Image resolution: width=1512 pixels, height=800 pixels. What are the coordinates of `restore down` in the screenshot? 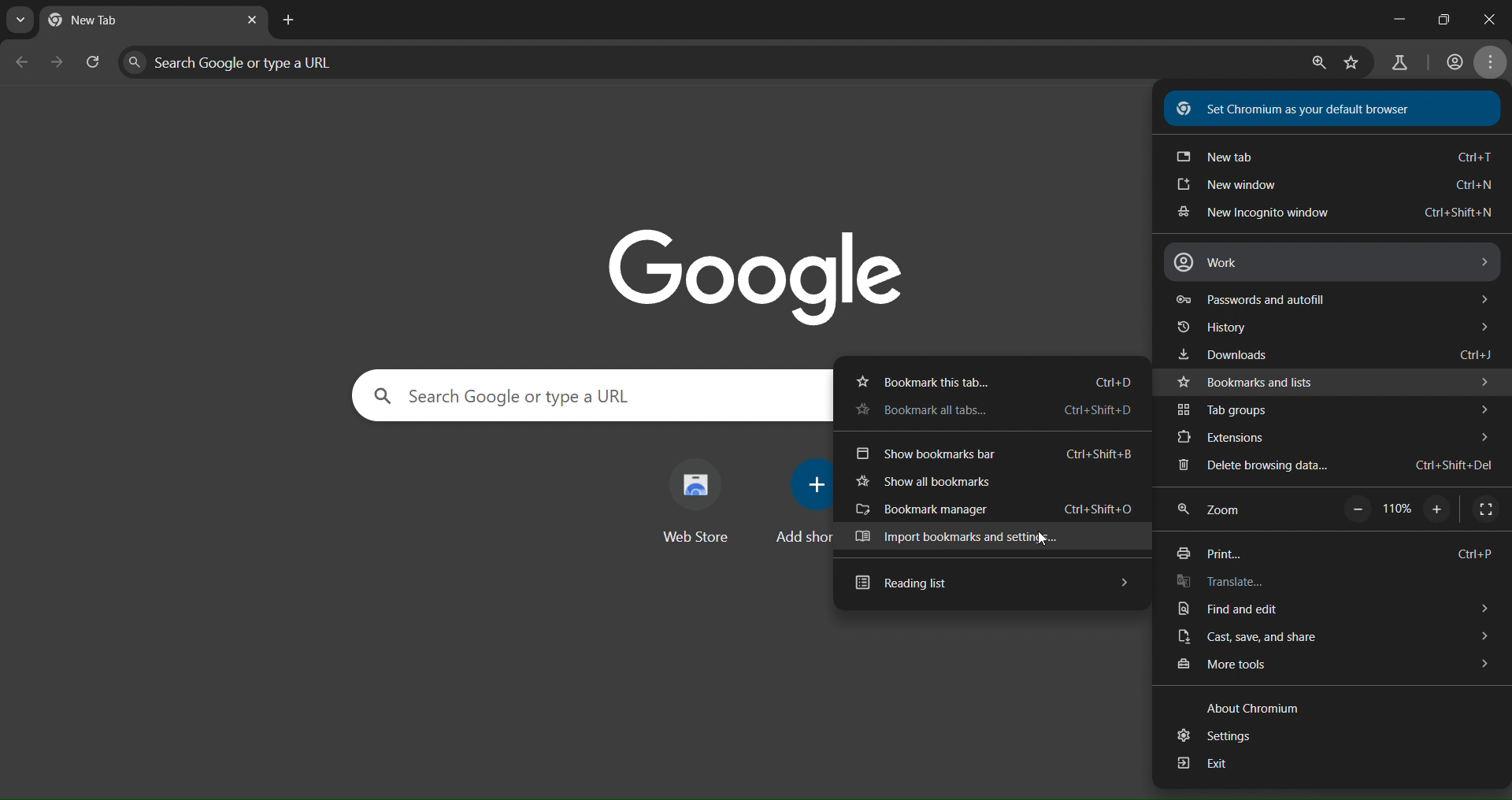 It's located at (1438, 19).